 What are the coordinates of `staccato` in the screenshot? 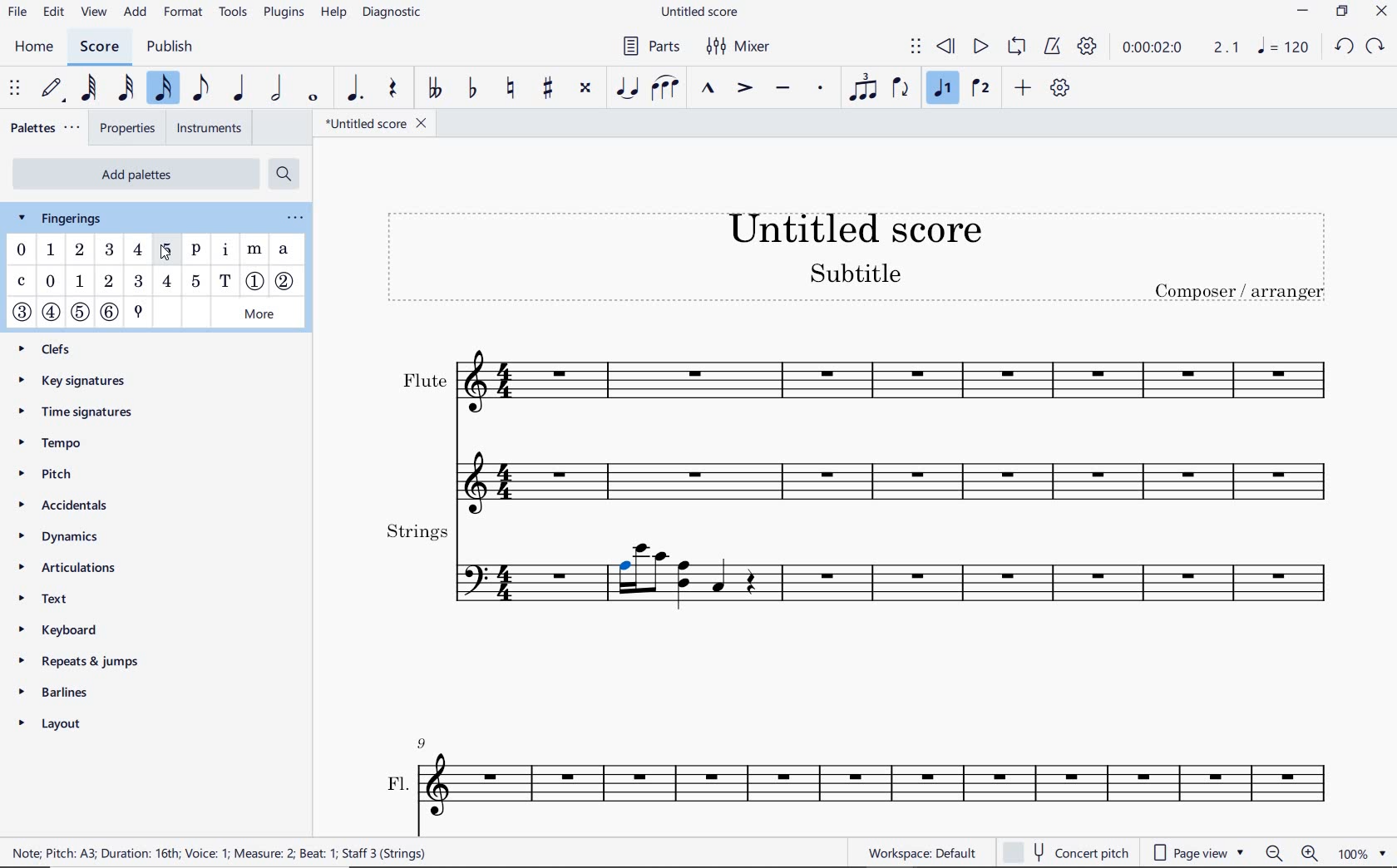 It's located at (822, 89).